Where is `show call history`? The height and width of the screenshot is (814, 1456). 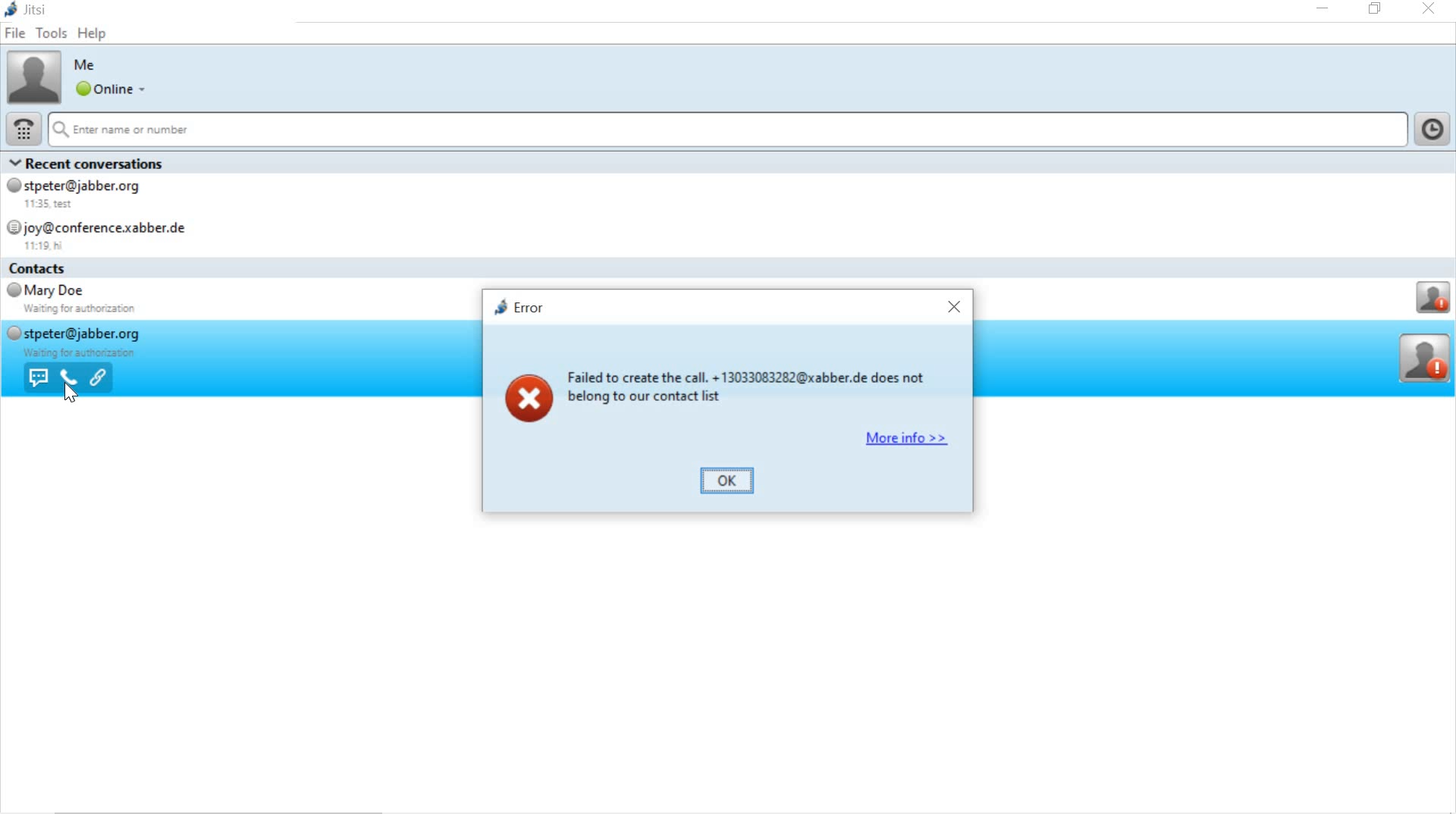 show call history is located at coordinates (1434, 128).